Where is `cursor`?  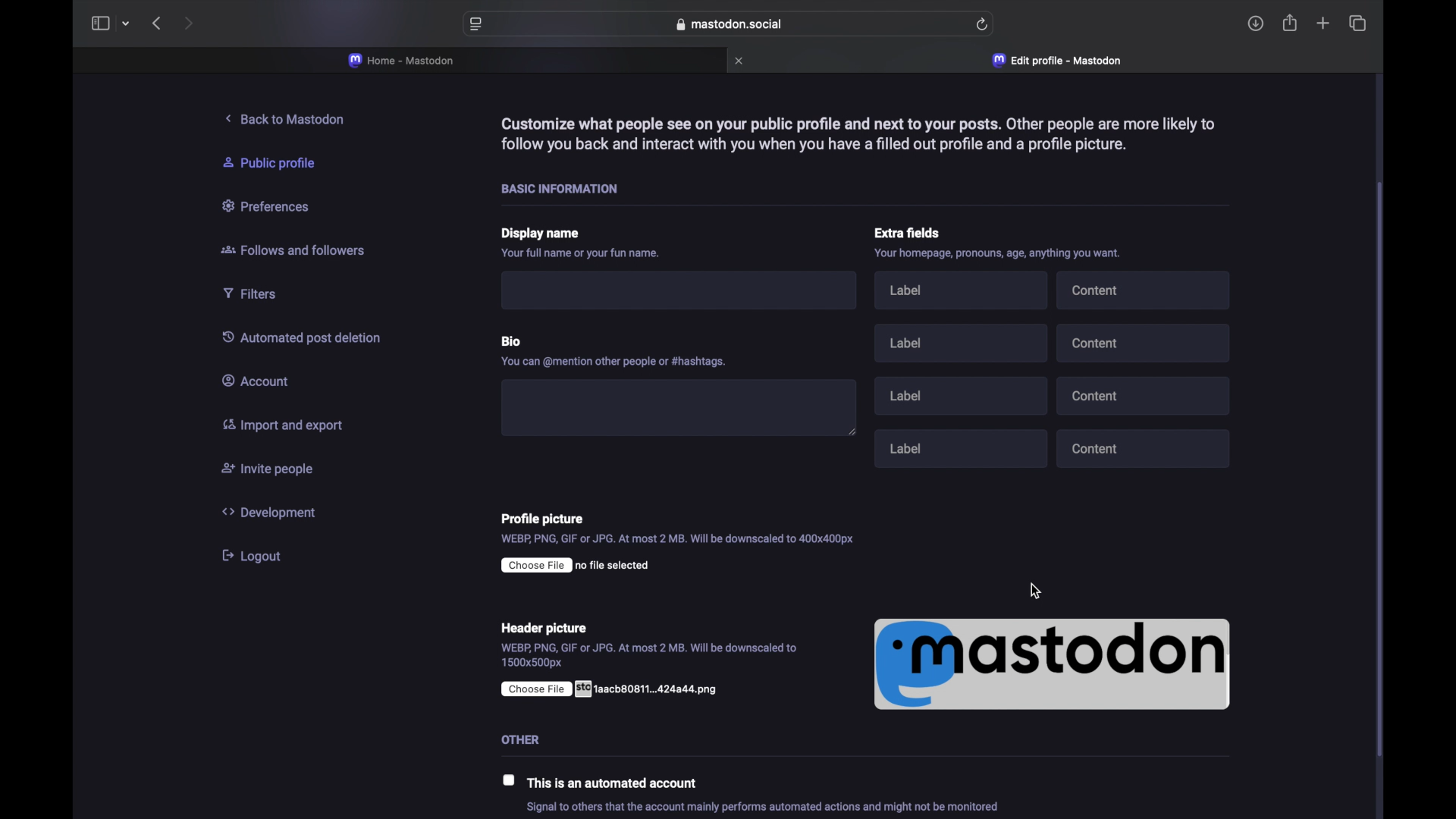
cursor is located at coordinates (1037, 591).